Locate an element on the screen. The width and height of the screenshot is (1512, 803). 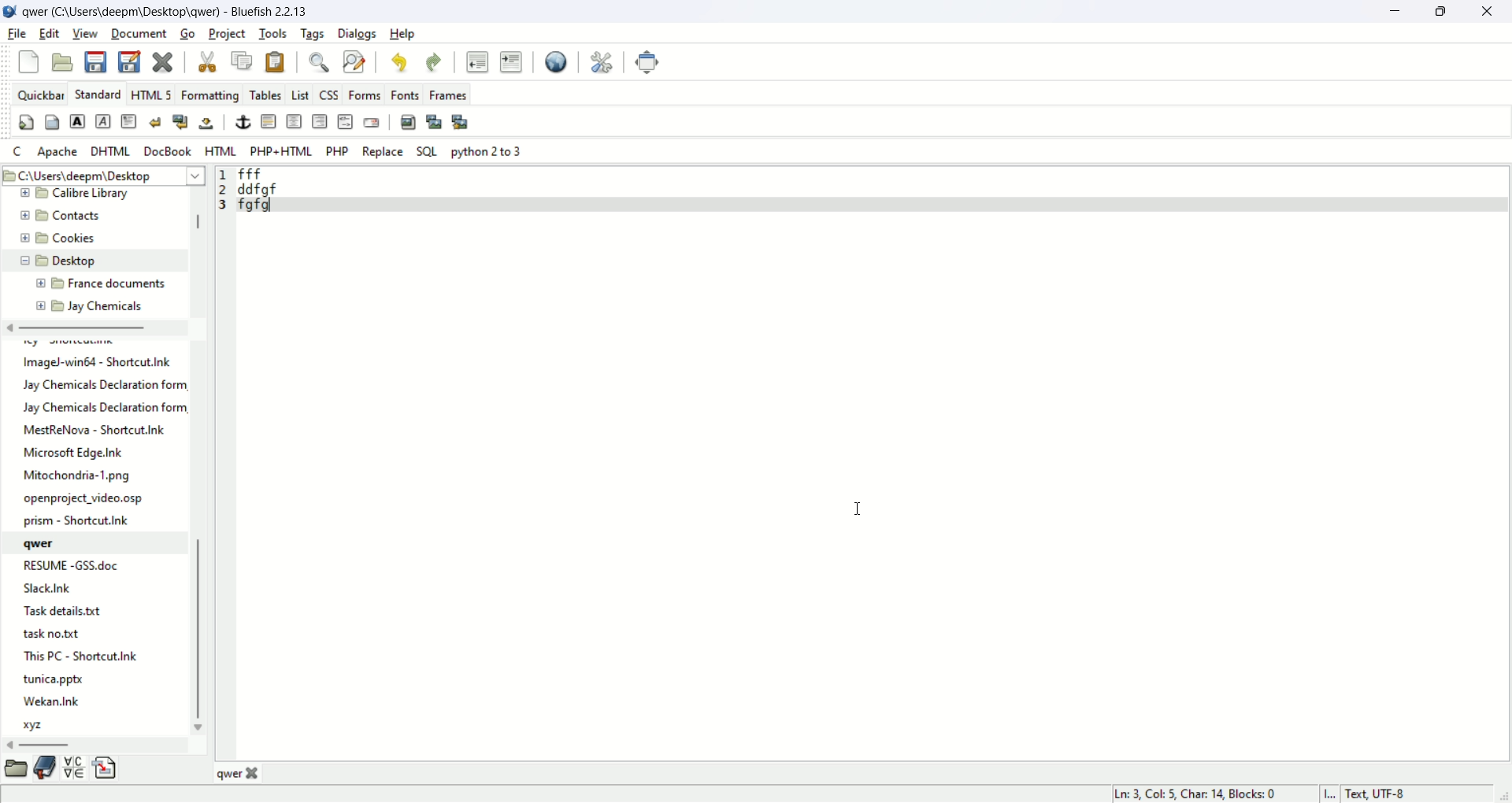
center is located at coordinates (294, 122).